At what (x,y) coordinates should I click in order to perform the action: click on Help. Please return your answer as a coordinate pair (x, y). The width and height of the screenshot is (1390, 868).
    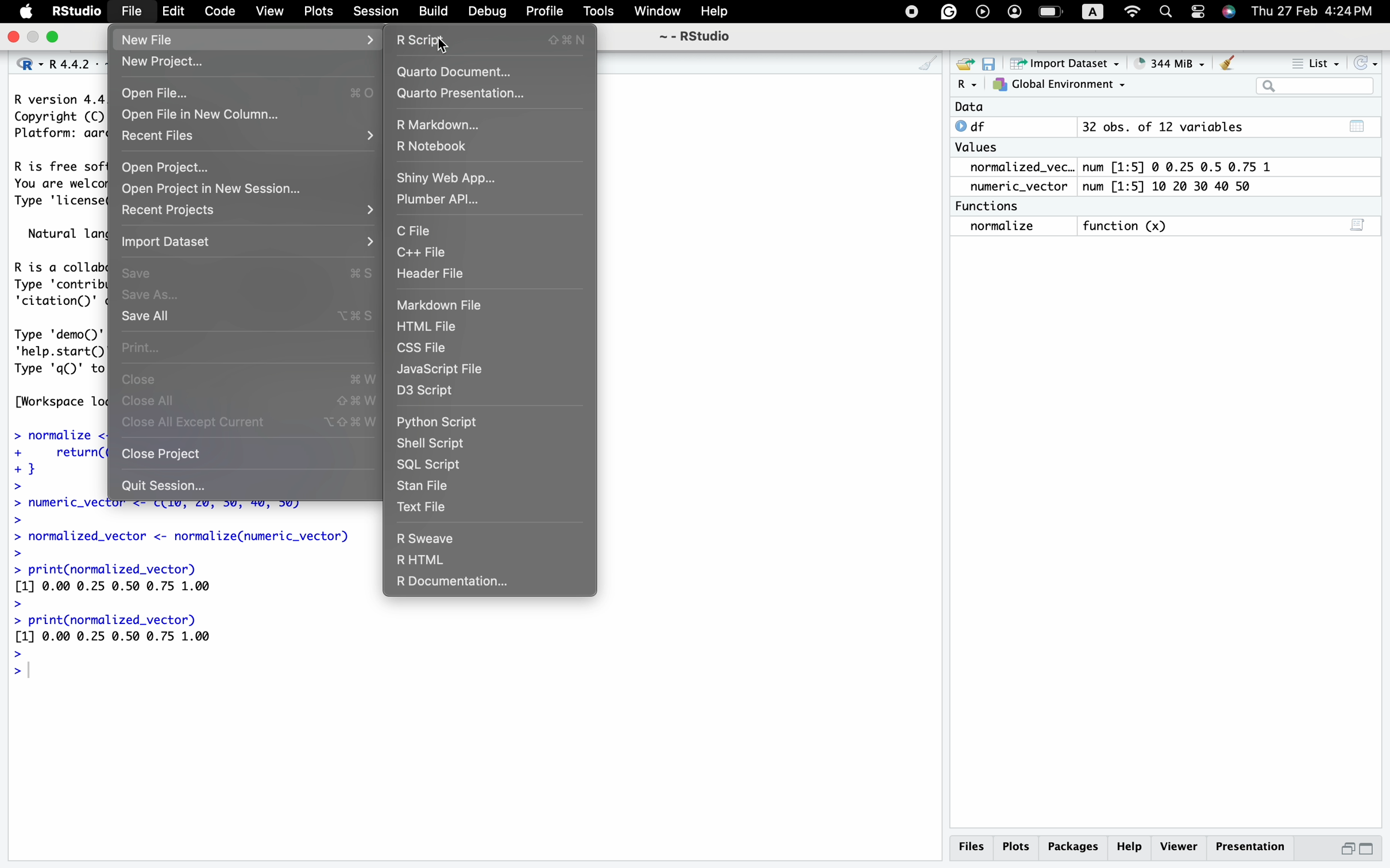
    Looking at the image, I should click on (715, 13).